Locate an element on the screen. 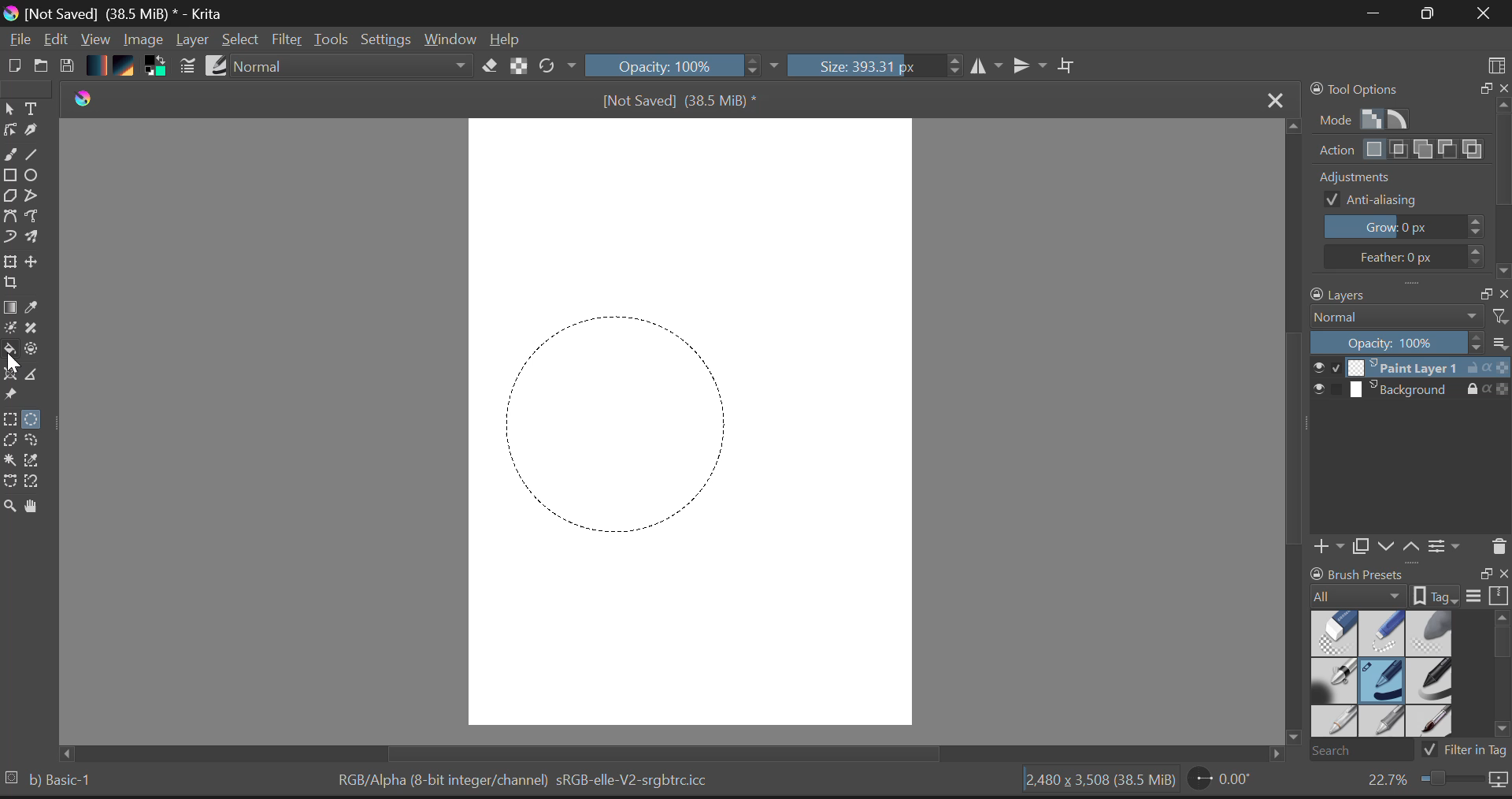  Eyedropper is located at coordinates (35, 310).